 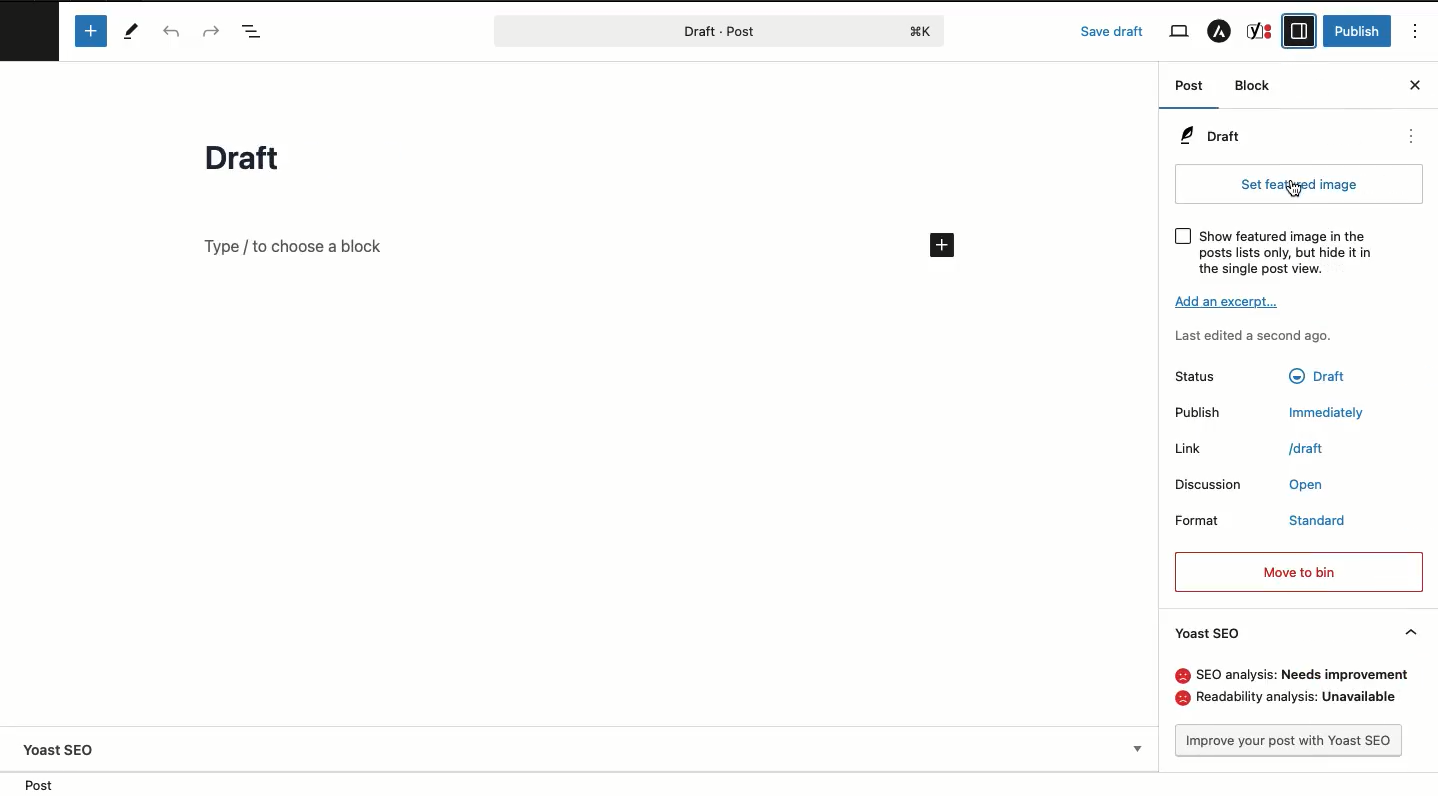 What do you see at coordinates (88, 31) in the screenshot?
I see `Add new block` at bounding box center [88, 31].